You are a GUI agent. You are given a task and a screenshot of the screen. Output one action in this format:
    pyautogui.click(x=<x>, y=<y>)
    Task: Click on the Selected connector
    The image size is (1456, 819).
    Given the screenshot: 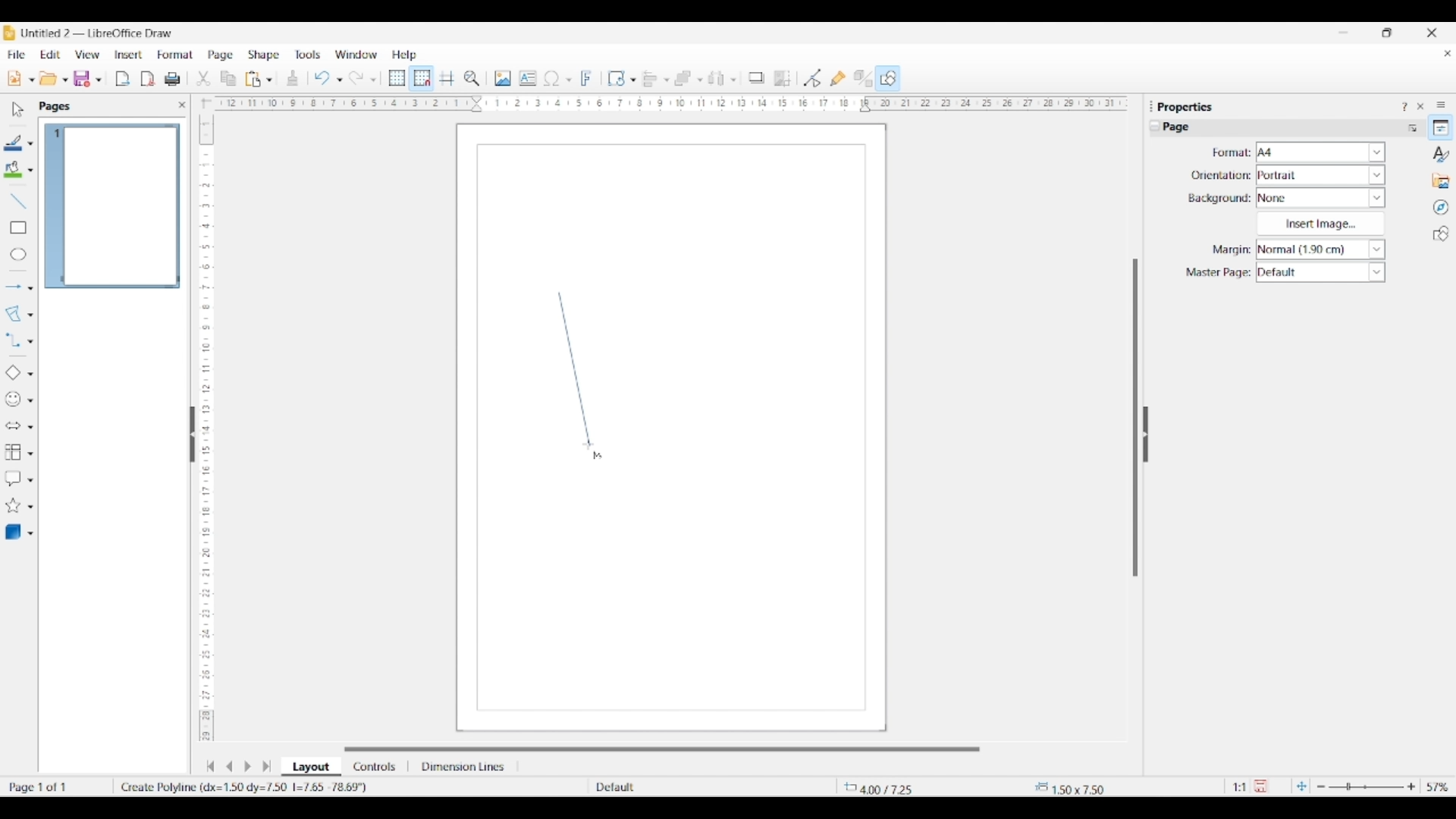 What is the action you would take?
    pyautogui.click(x=12, y=339)
    